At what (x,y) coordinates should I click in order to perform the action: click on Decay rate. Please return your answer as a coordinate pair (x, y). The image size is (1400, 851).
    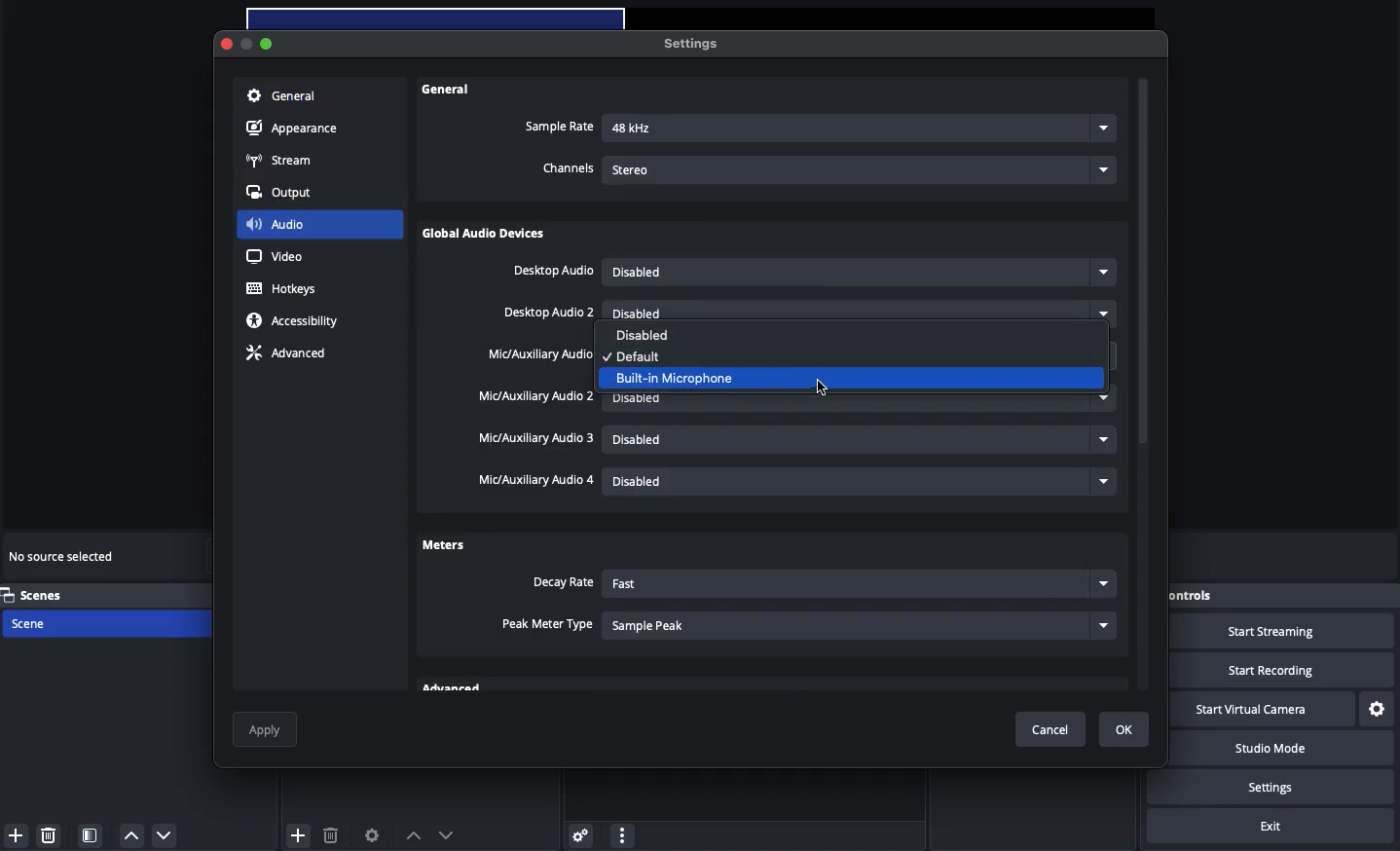
    Looking at the image, I should click on (562, 583).